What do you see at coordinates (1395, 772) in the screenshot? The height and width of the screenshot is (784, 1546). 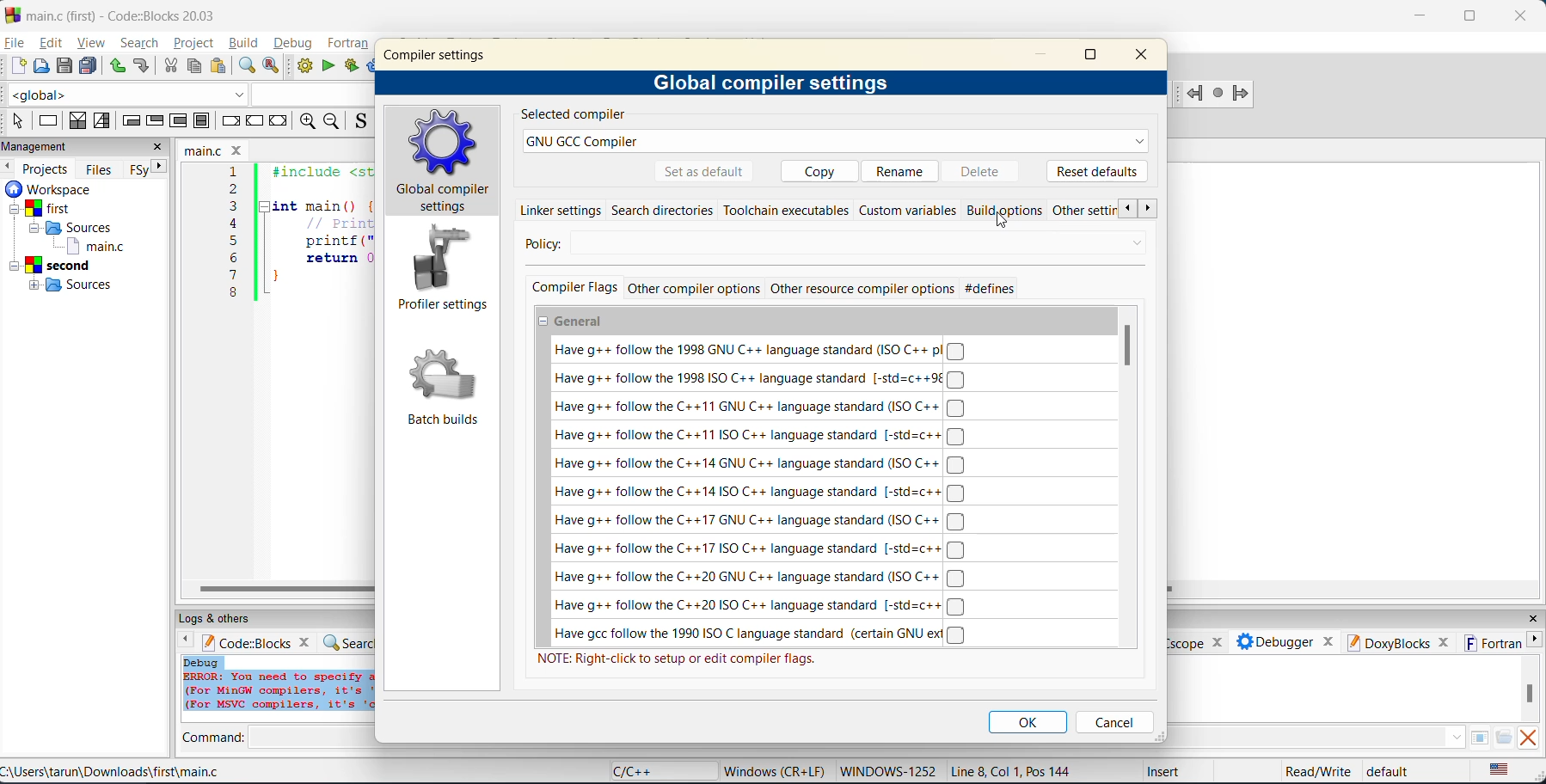 I see `default` at bounding box center [1395, 772].